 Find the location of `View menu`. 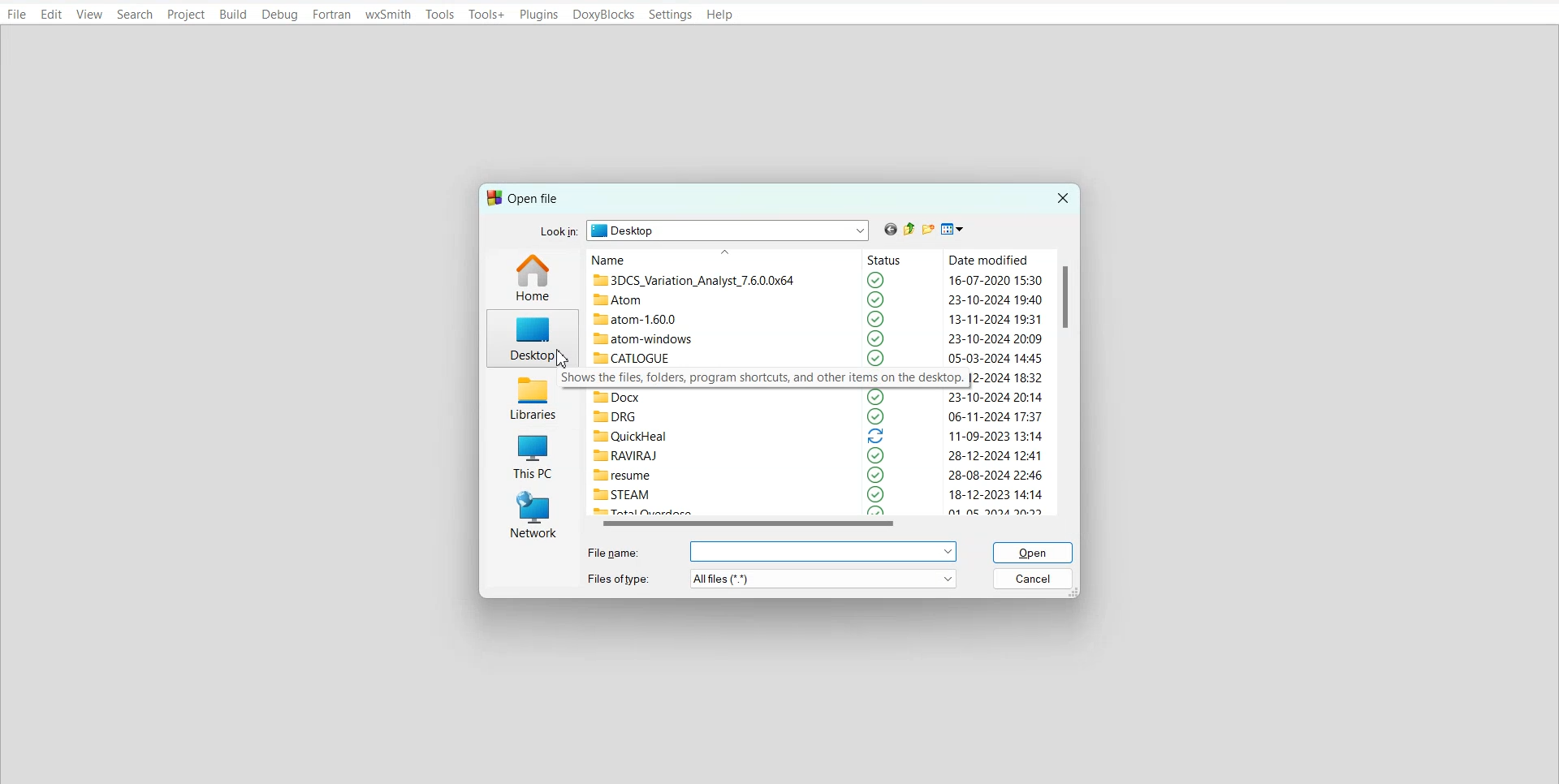

View menu is located at coordinates (952, 230).